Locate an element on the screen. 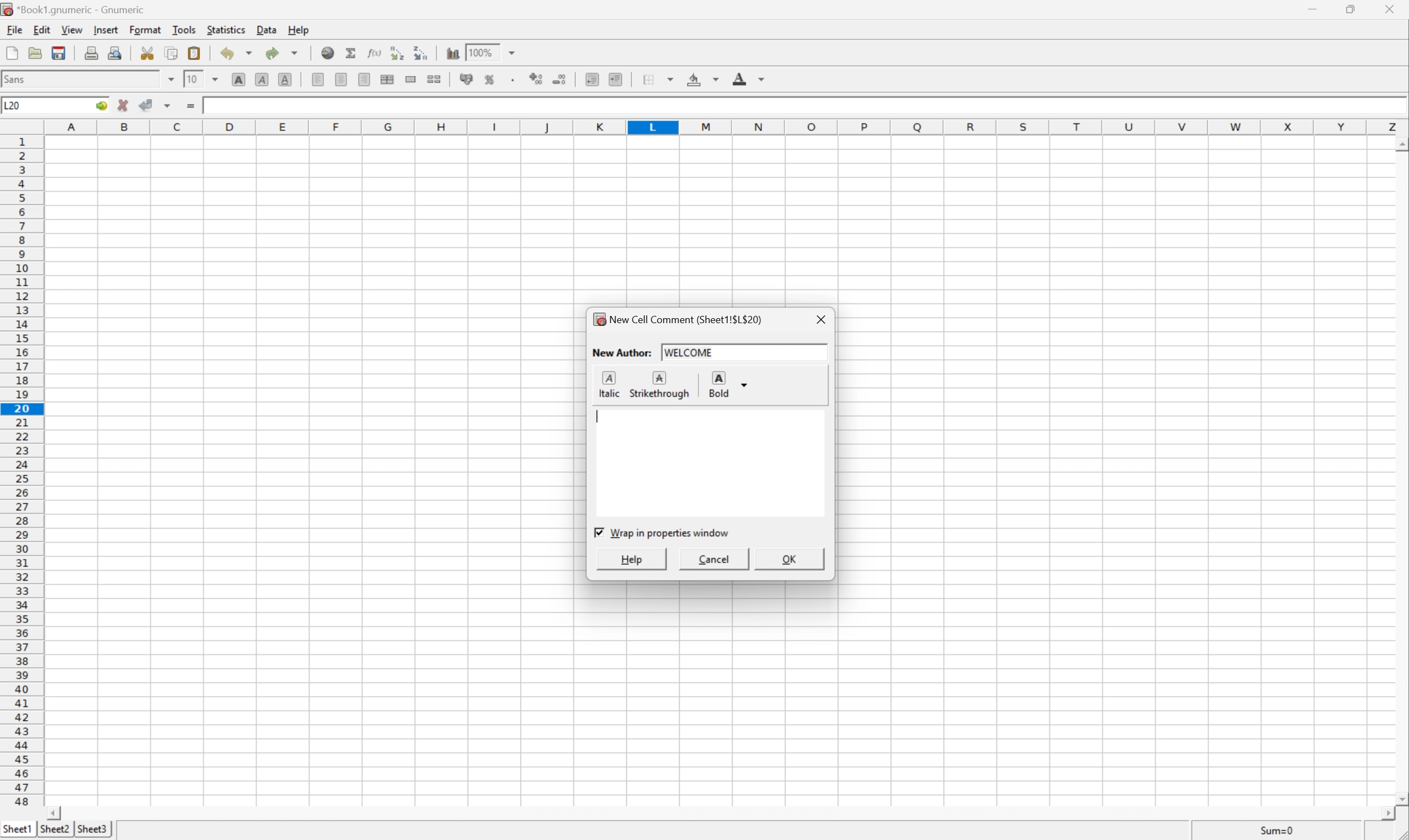 This screenshot has height=840, width=1409. Foreground is located at coordinates (749, 78).